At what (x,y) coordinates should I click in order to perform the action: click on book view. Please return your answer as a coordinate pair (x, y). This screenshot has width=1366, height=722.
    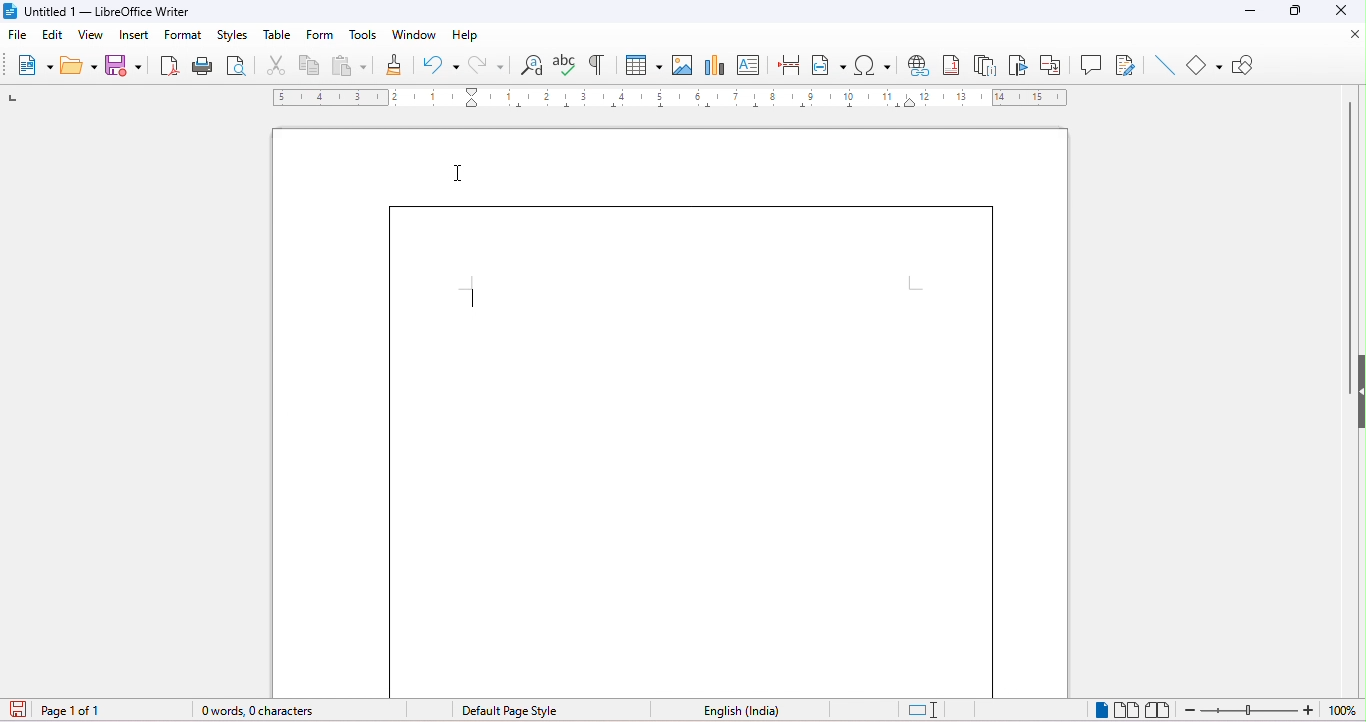
    Looking at the image, I should click on (1161, 706).